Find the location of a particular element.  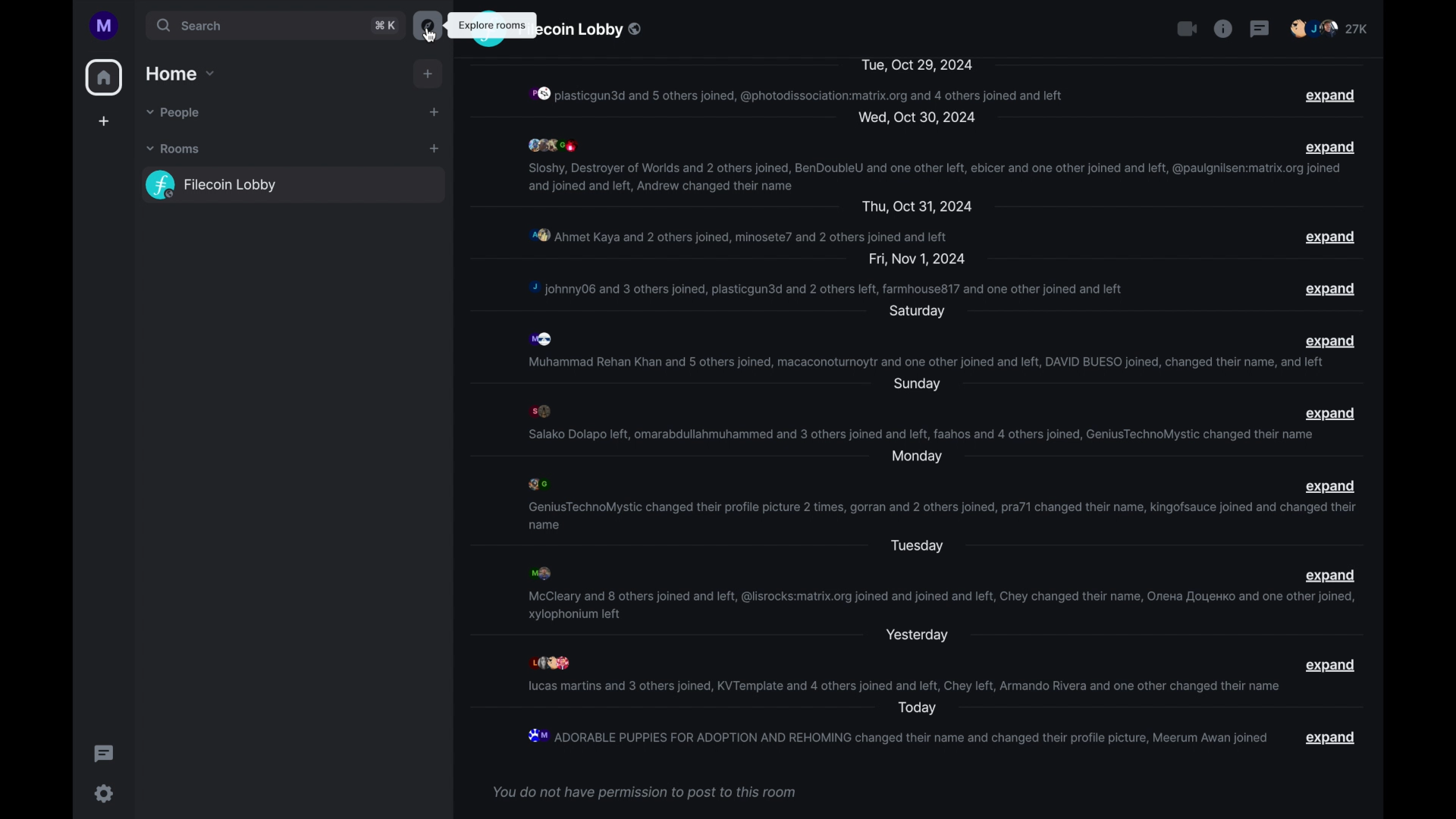

Flecoin lobby is located at coordinates (593, 30).